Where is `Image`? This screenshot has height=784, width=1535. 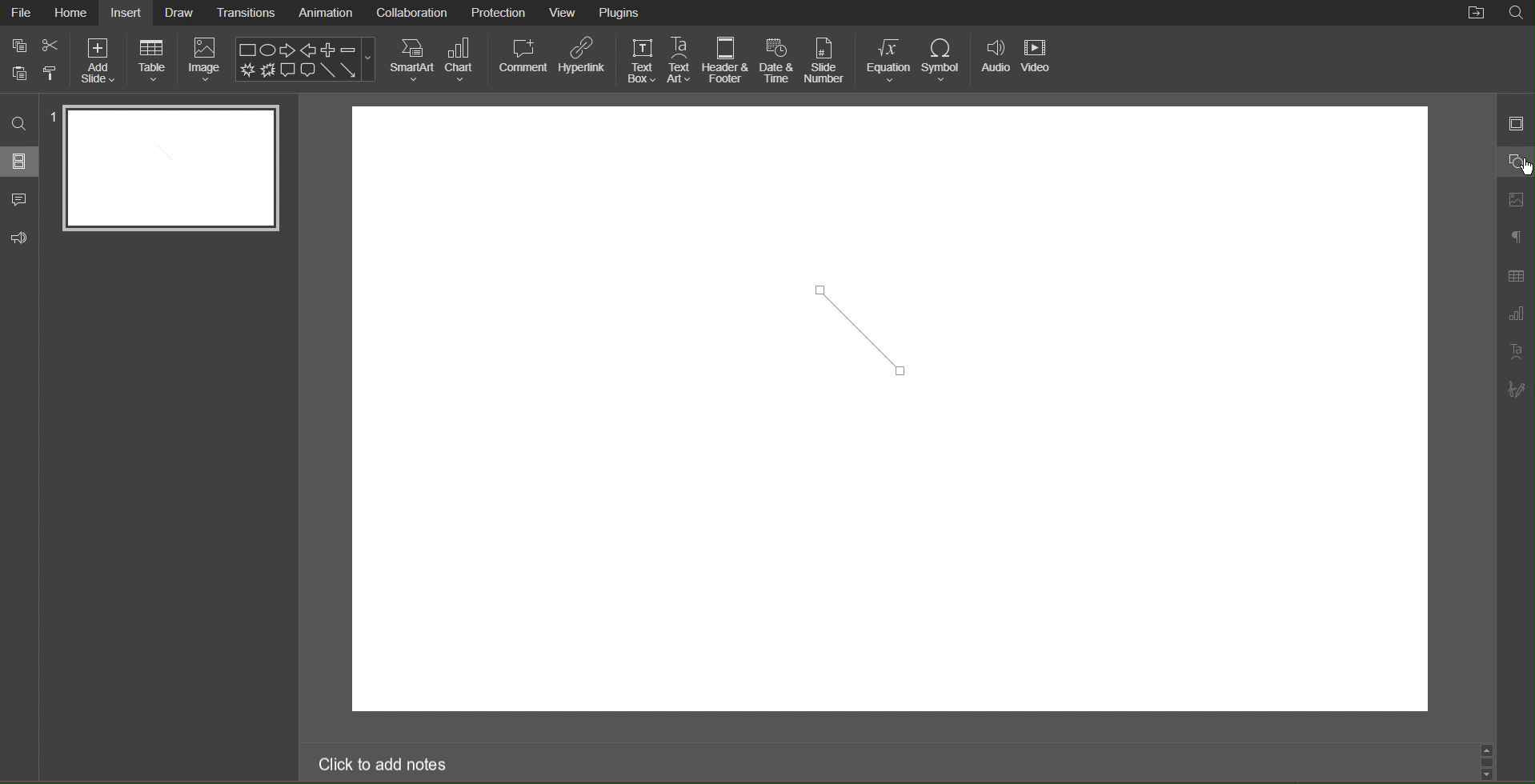 Image is located at coordinates (206, 62).